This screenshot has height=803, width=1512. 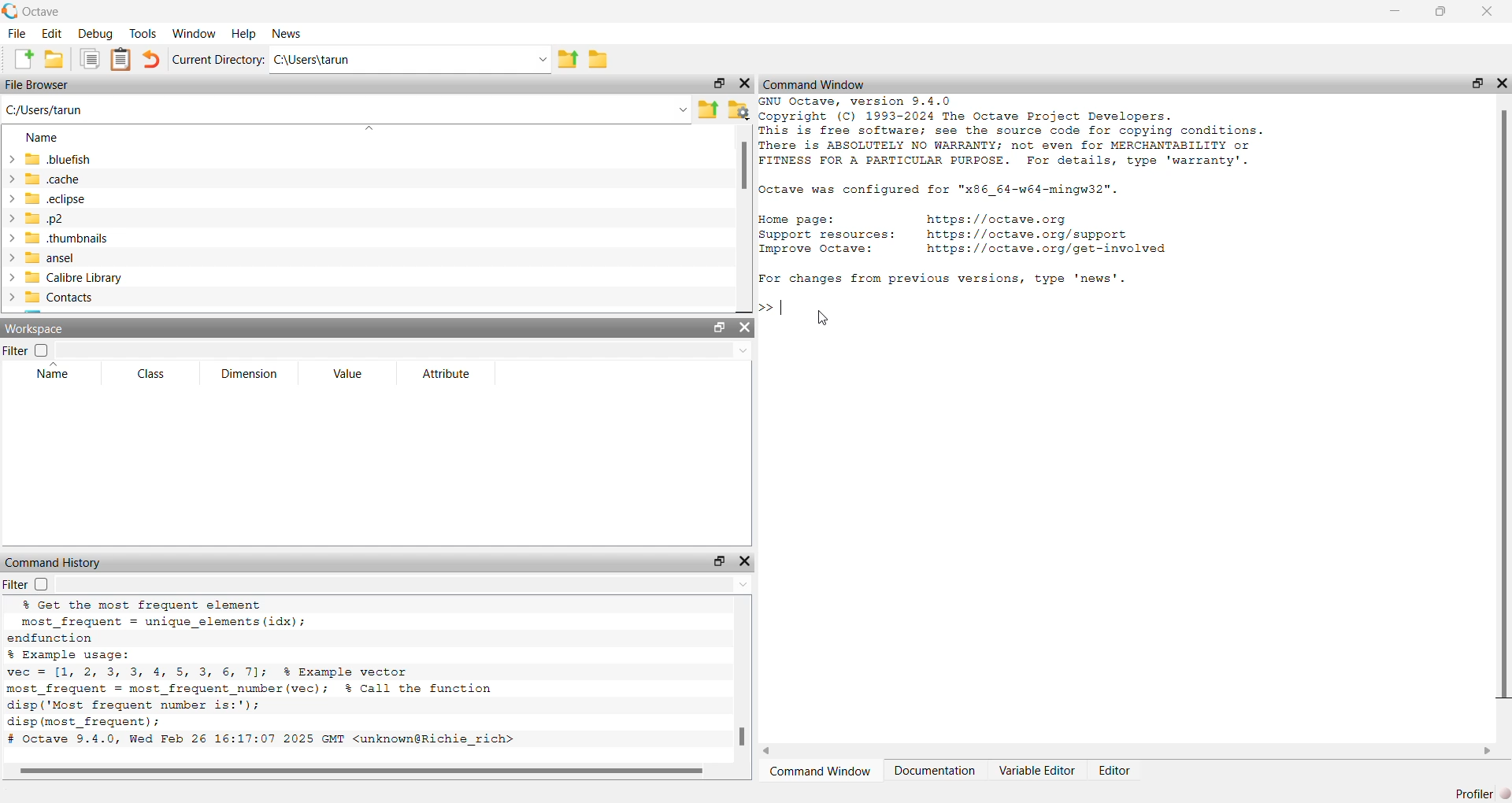 I want to click on Undock Widget, so click(x=719, y=83).